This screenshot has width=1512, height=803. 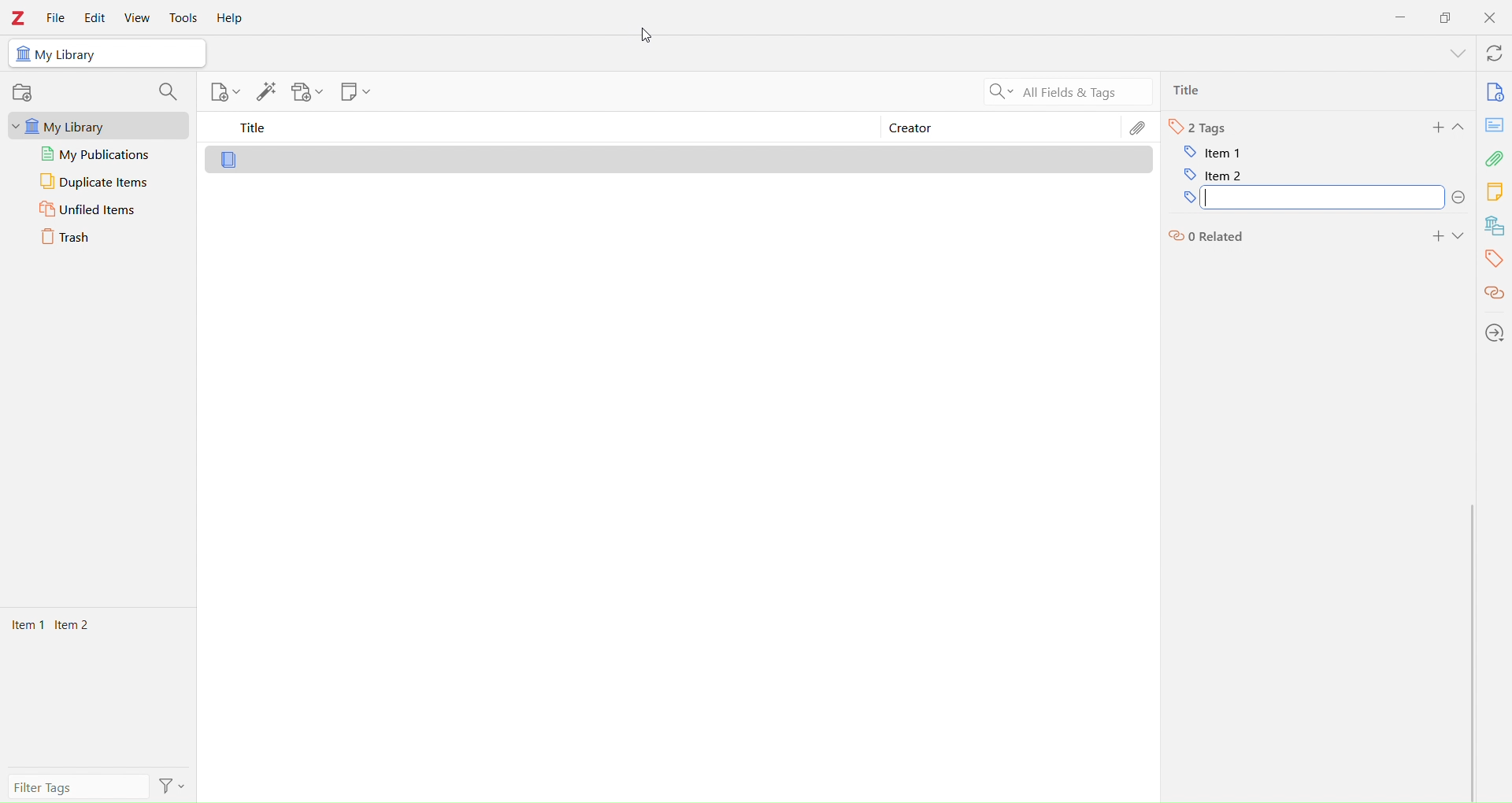 What do you see at coordinates (1414, 153) in the screenshot?
I see `I cursor` at bounding box center [1414, 153].